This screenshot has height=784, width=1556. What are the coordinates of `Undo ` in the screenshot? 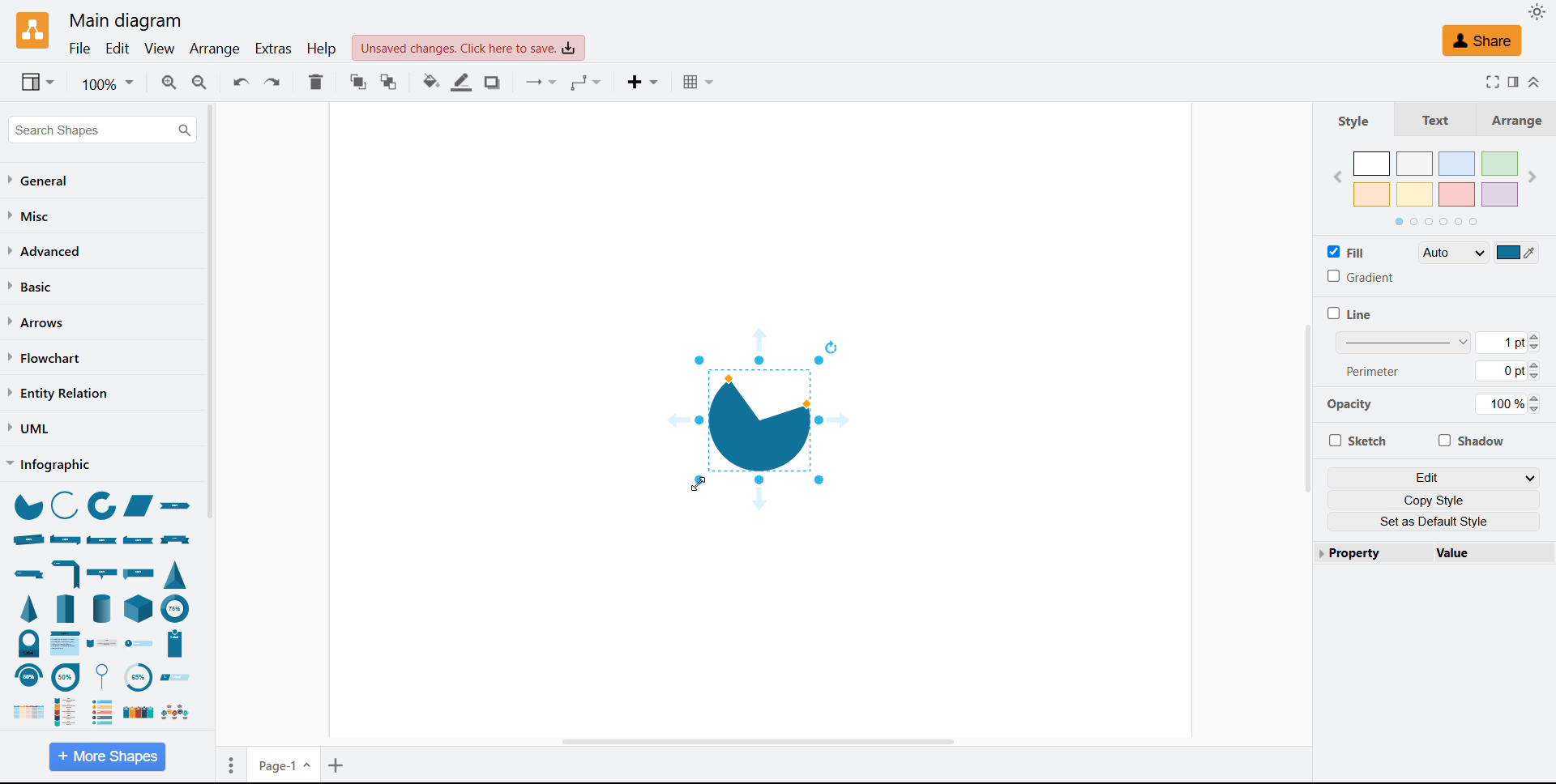 It's located at (242, 81).